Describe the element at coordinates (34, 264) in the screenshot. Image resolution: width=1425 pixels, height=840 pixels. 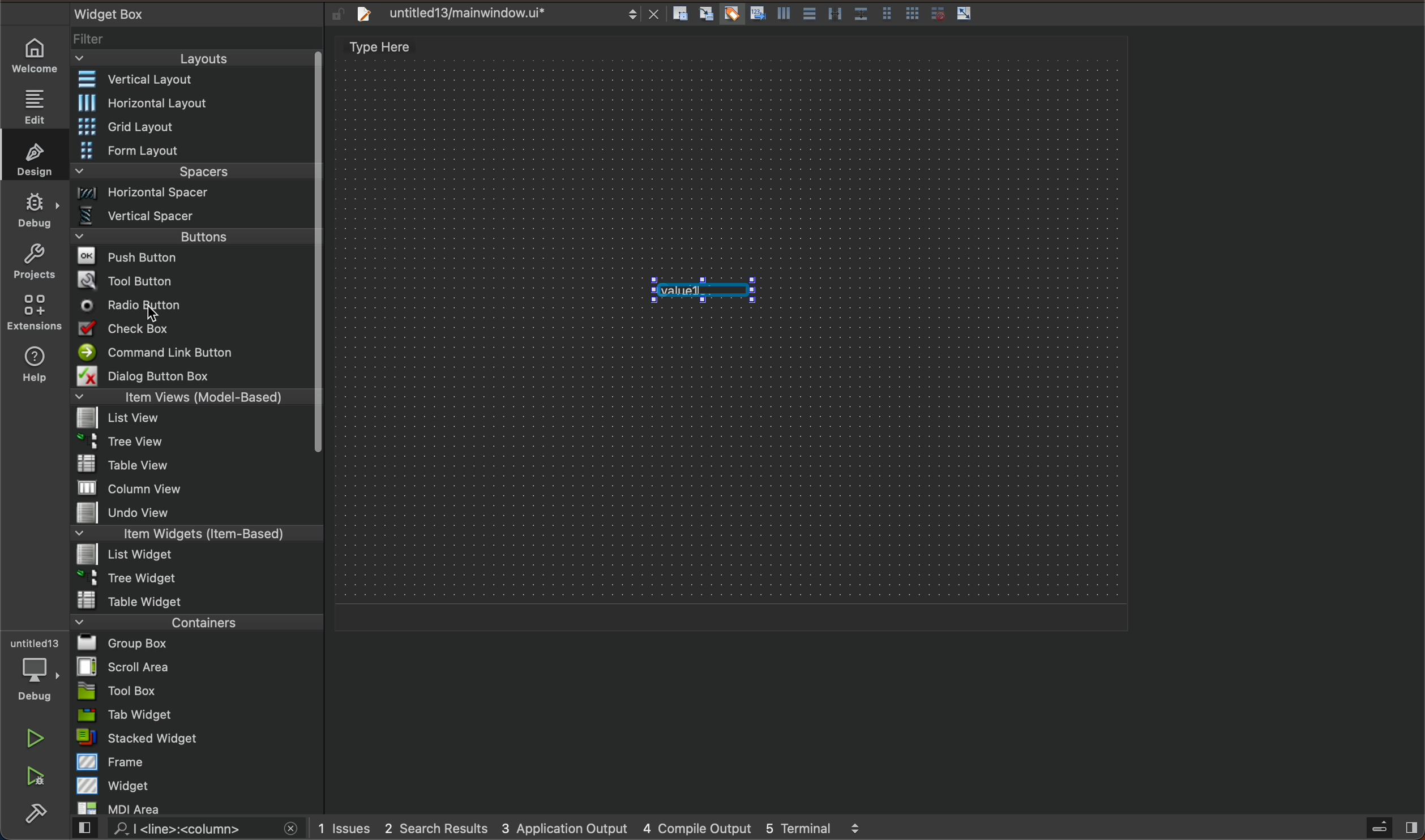
I see `projects` at that location.